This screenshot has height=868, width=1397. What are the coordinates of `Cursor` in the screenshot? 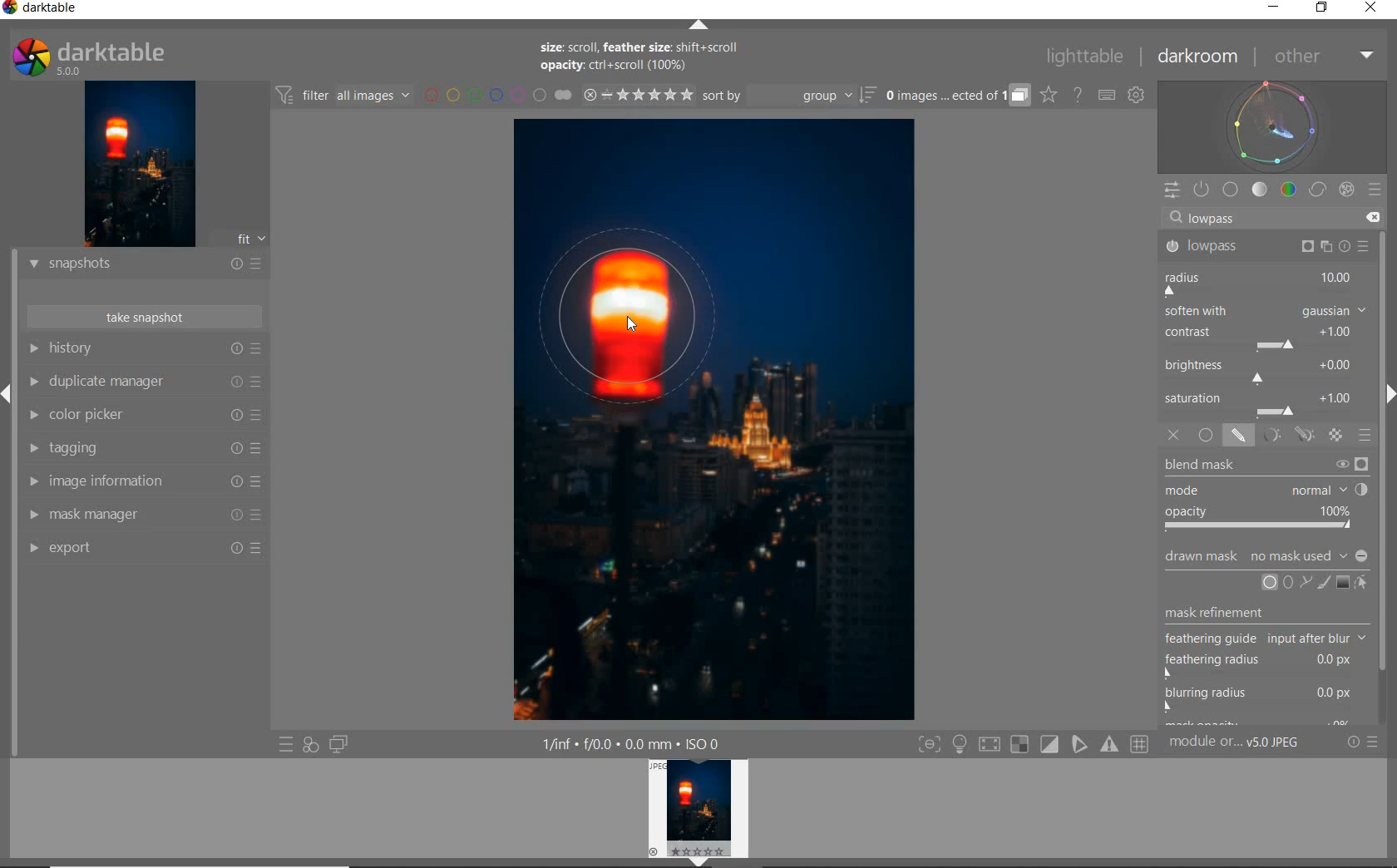 It's located at (629, 321).